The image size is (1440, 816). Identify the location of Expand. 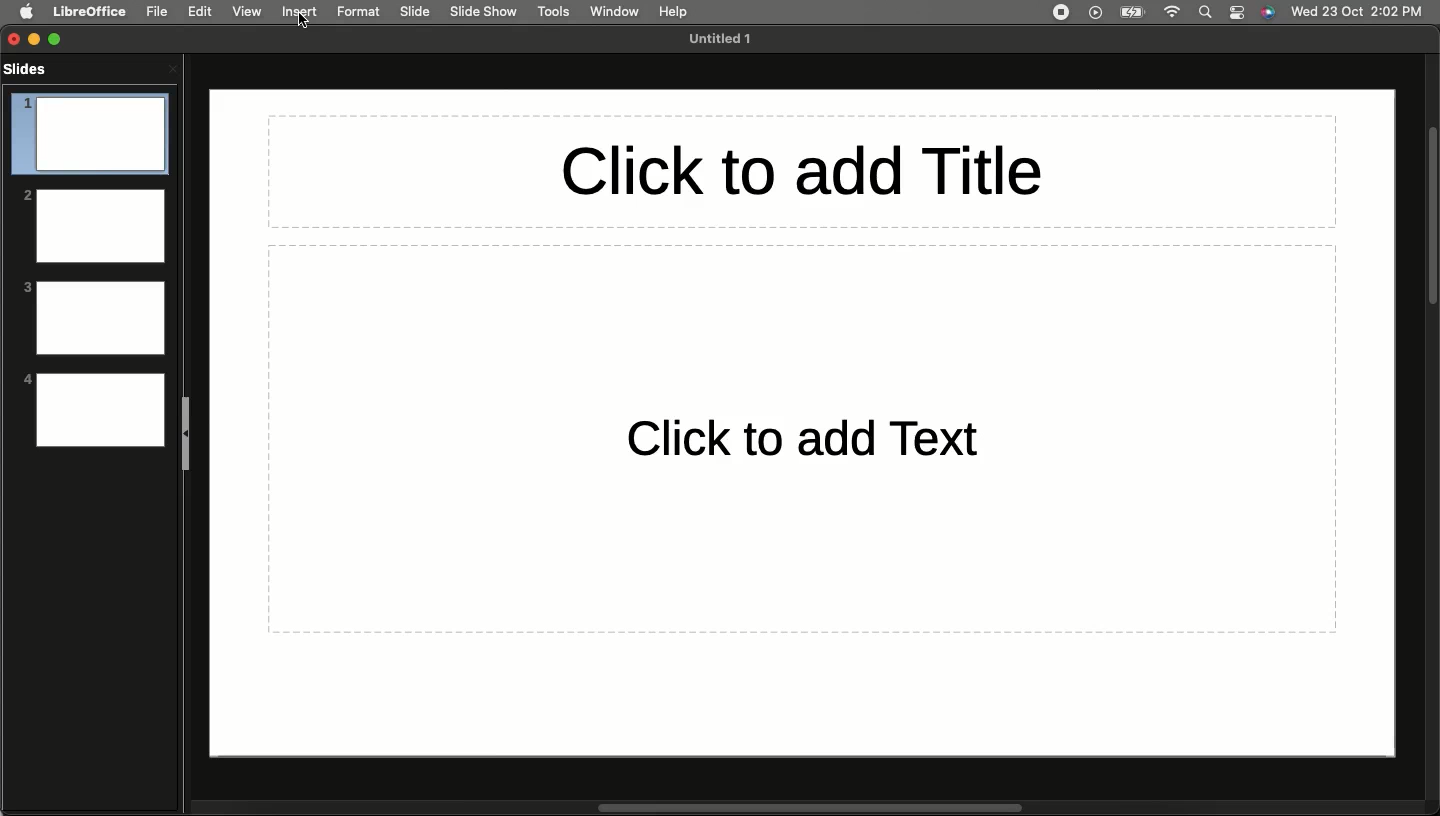
(59, 37).